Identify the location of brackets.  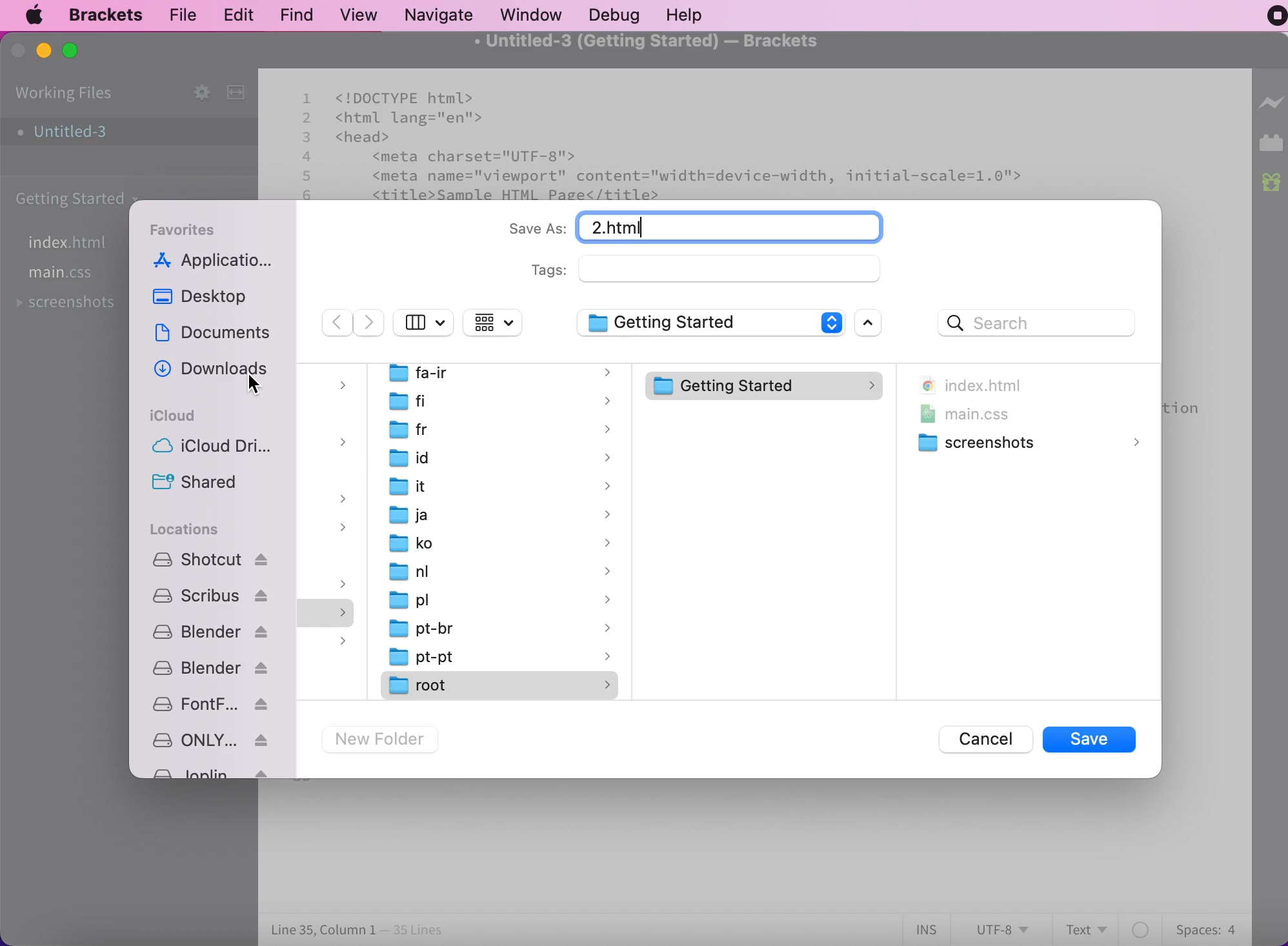
(108, 14).